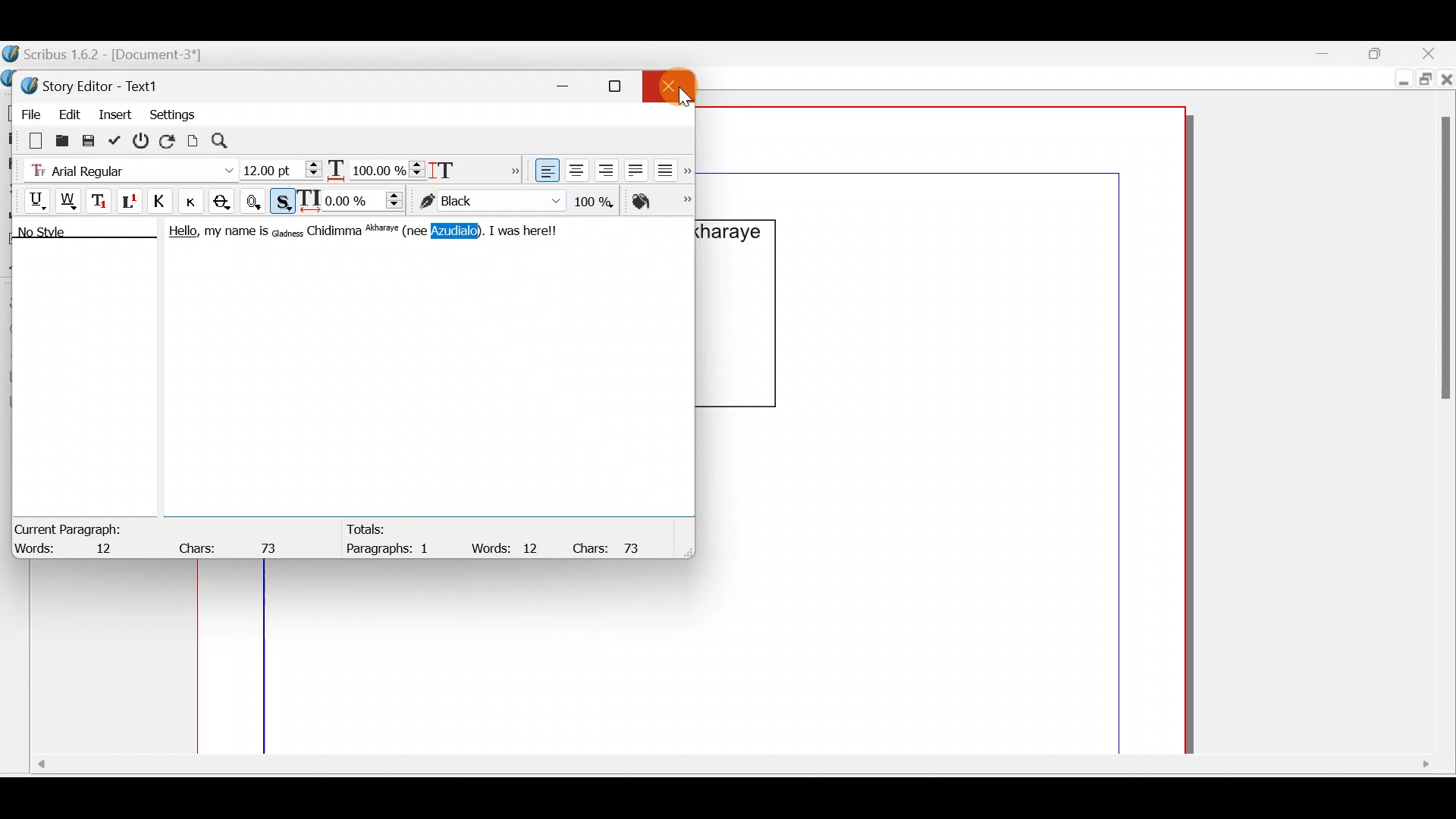  Describe the element at coordinates (1384, 52) in the screenshot. I see `Maximize` at that location.